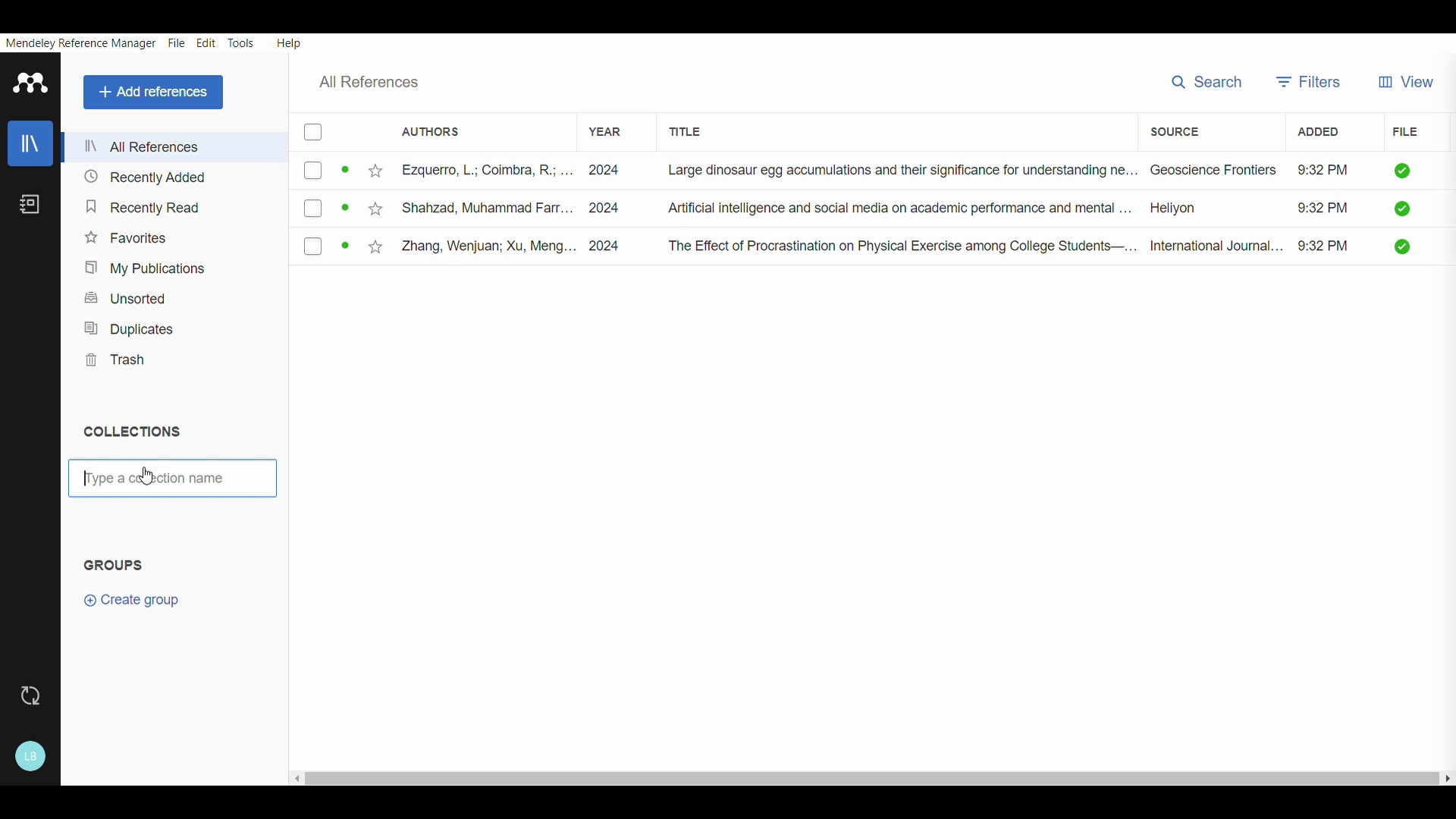  I want to click on Duplicates, so click(127, 325).